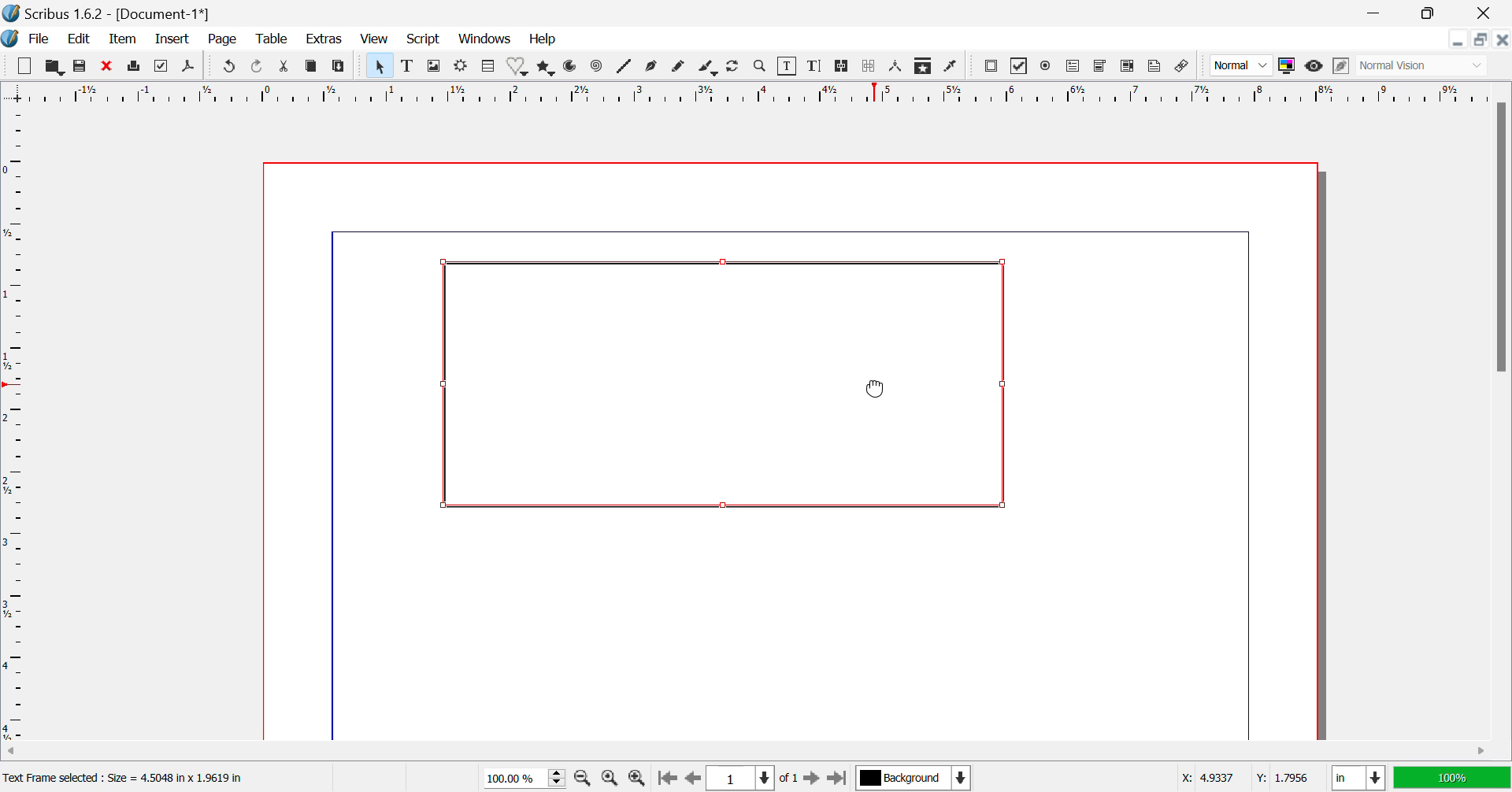 This screenshot has height=792, width=1512. Describe the element at coordinates (1185, 67) in the screenshot. I see `Link annotation` at that location.